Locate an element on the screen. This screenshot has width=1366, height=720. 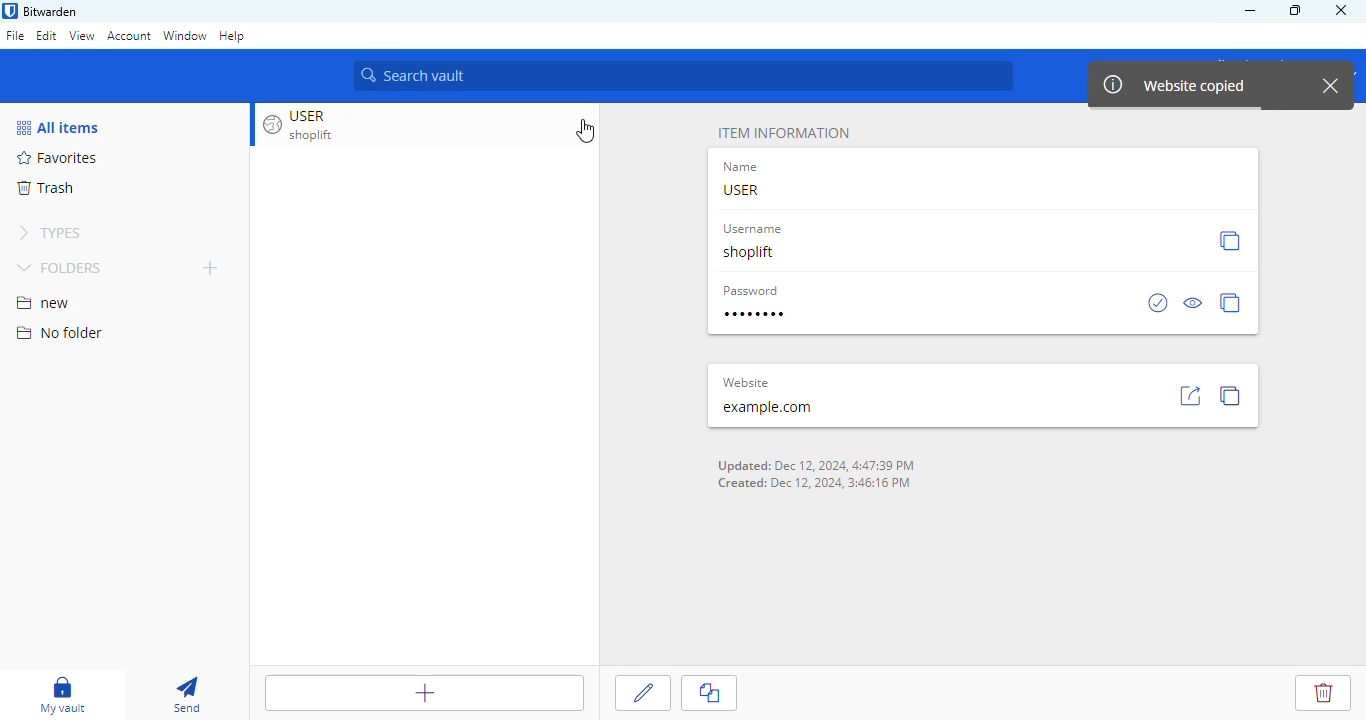
shoplift is located at coordinates (749, 253).